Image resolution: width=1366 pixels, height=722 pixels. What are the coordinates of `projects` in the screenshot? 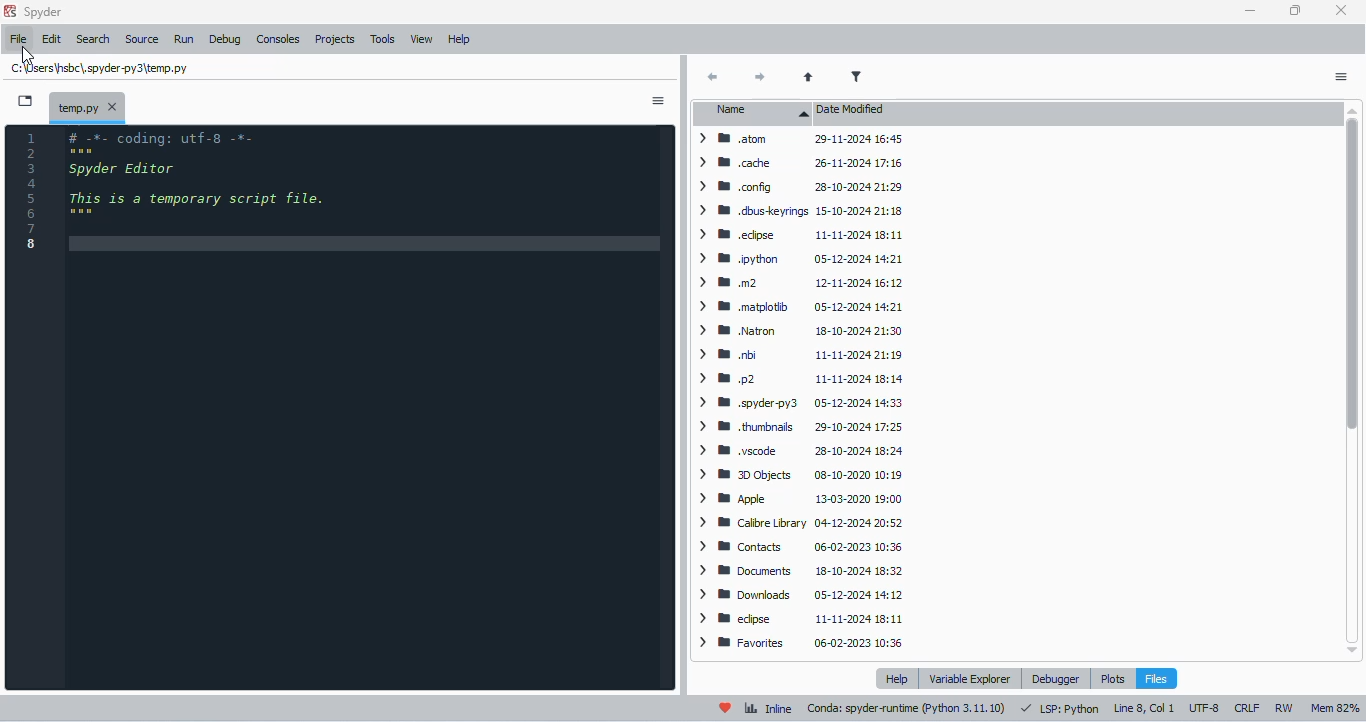 It's located at (333, 39).